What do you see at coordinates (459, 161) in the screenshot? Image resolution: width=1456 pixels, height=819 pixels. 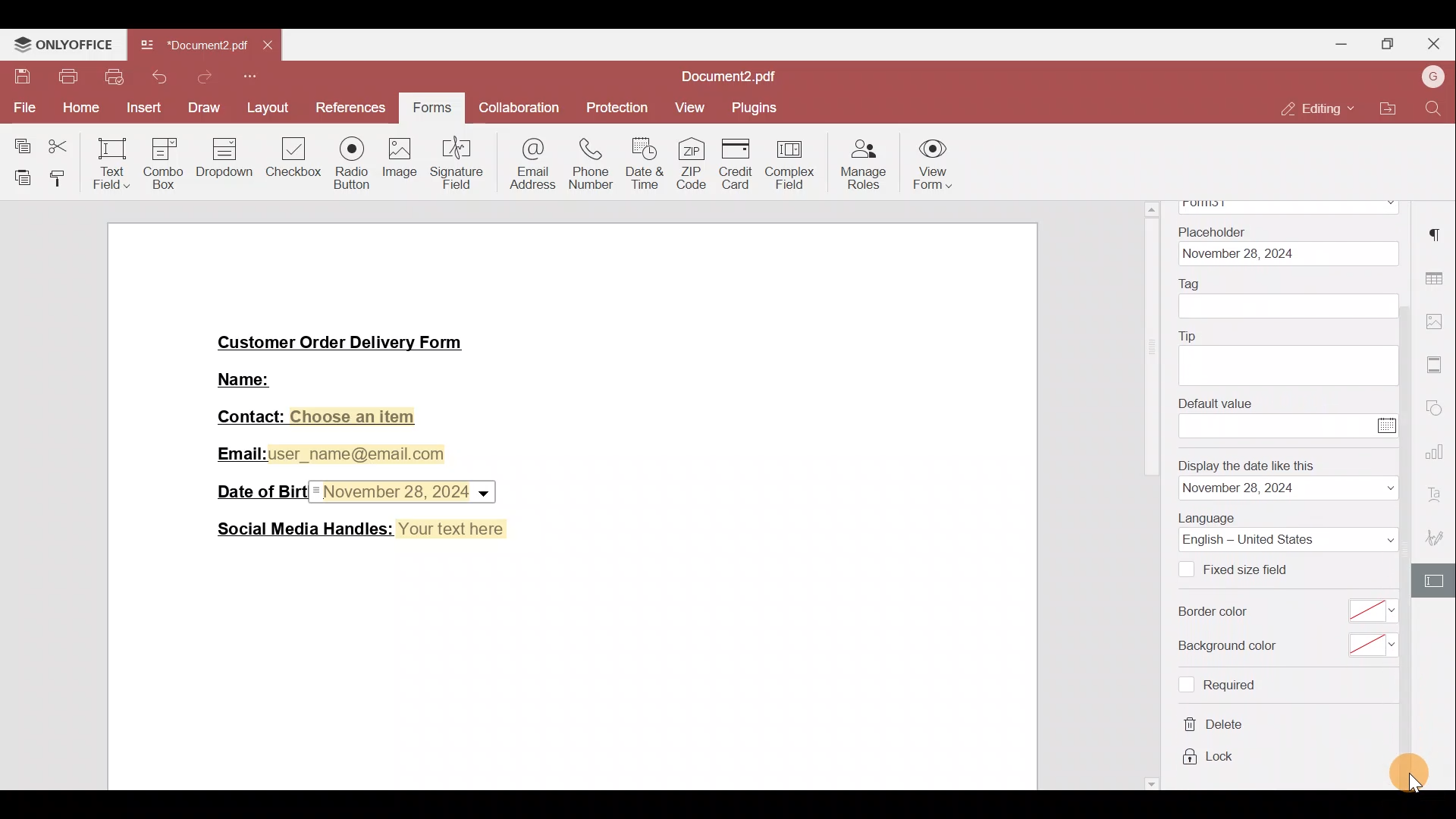 I see `Signature field` at bounding box center [459, 161].